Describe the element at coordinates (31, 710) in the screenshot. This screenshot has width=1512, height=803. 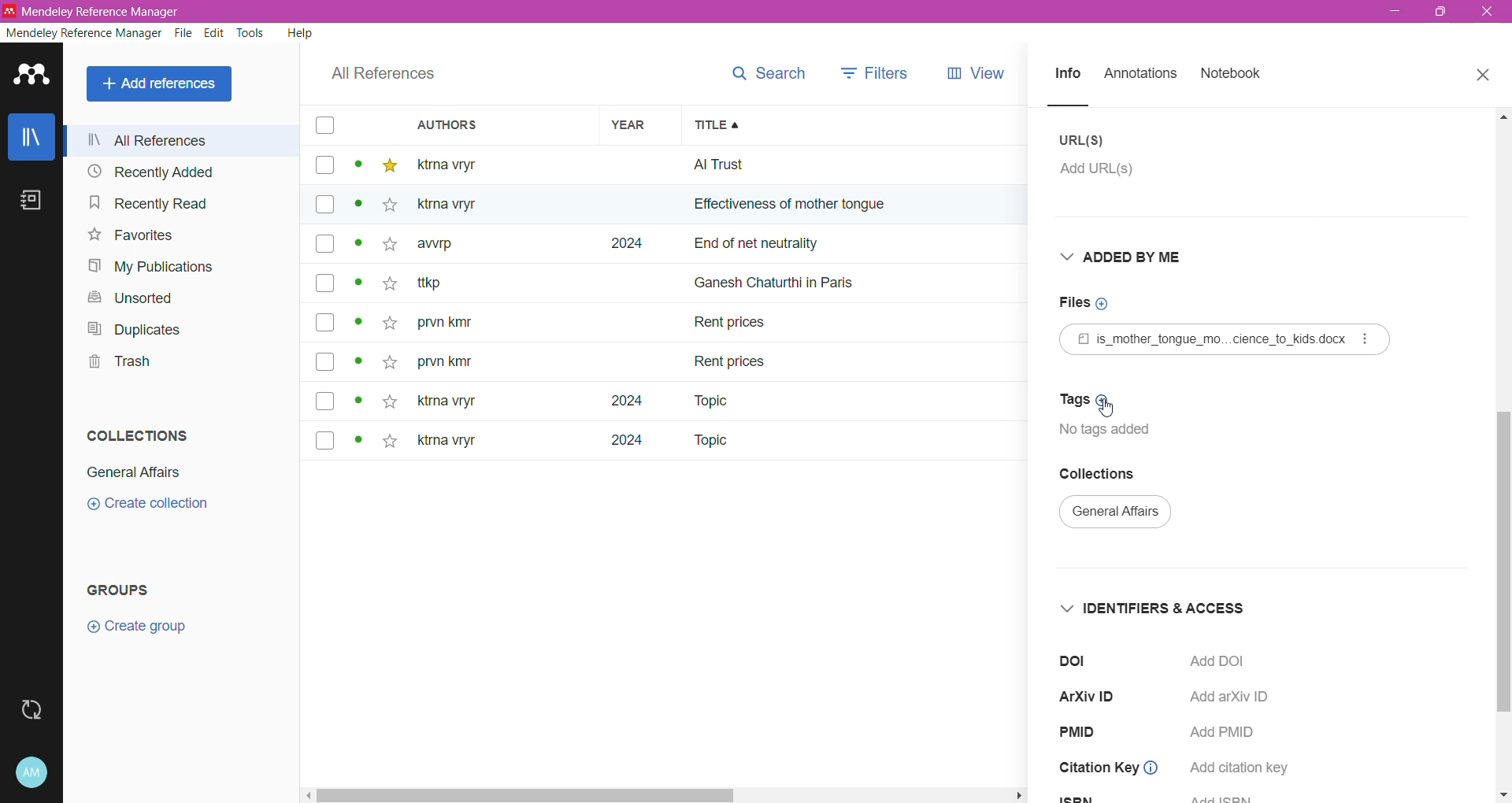
I see `Last sync` at that location.